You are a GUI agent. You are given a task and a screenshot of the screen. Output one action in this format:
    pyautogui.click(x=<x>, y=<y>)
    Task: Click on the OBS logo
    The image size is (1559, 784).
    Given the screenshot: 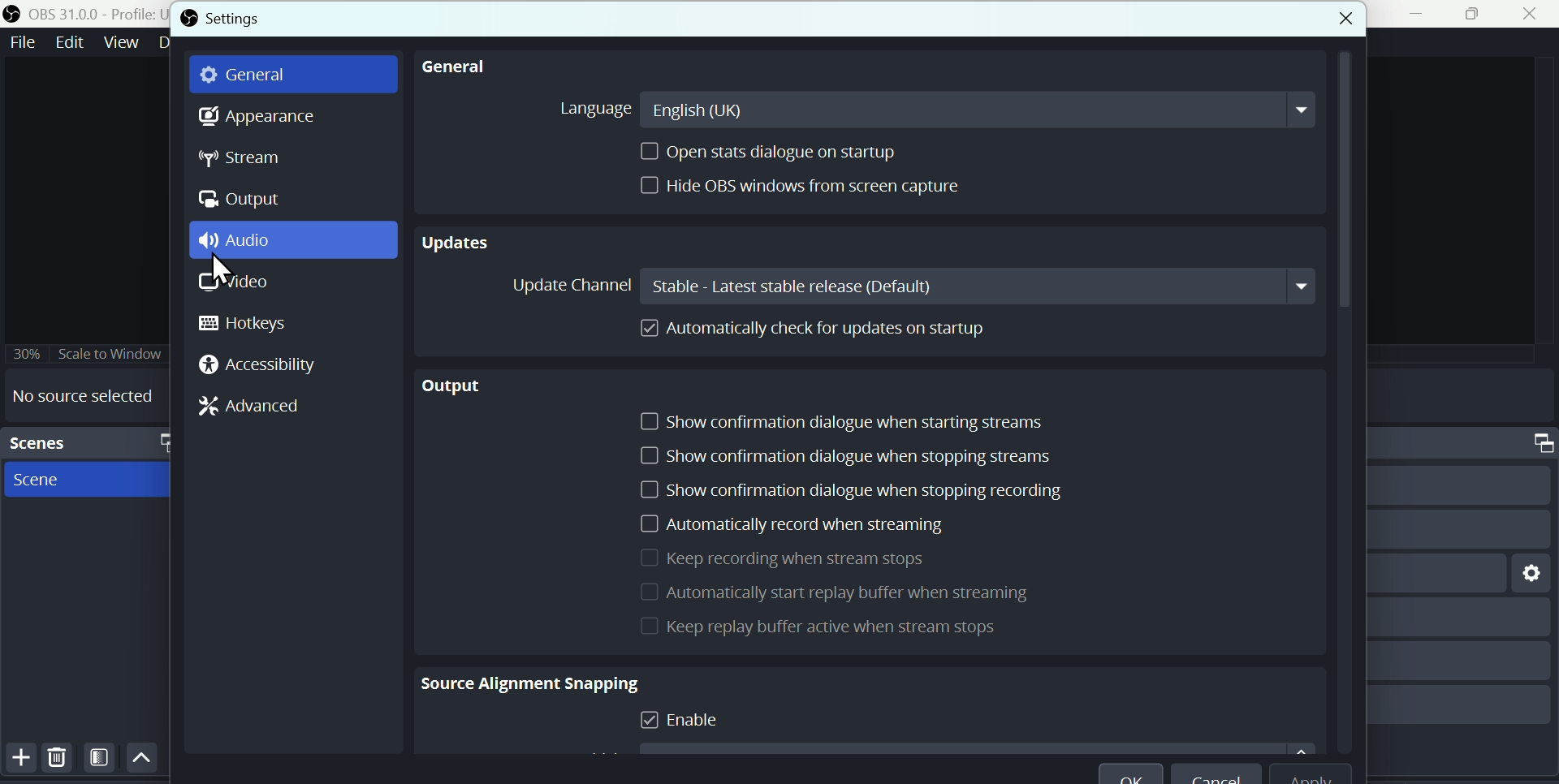 What is the action you would take?
    pyautogui.click(x=188, y=18)
    